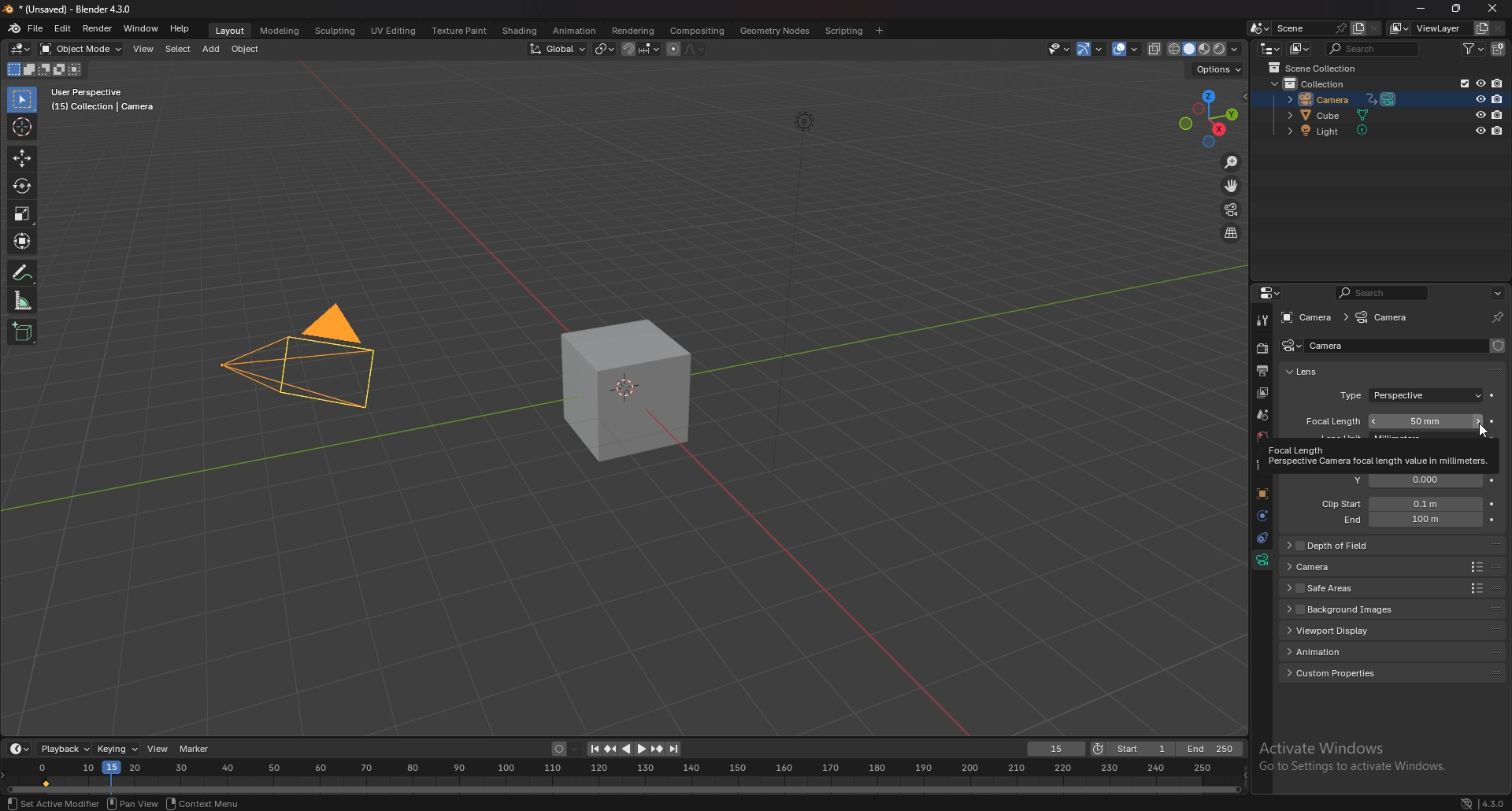  Describe the element at coordinates (1091, 49) in the screenshot. I see `gizmo` at that location.